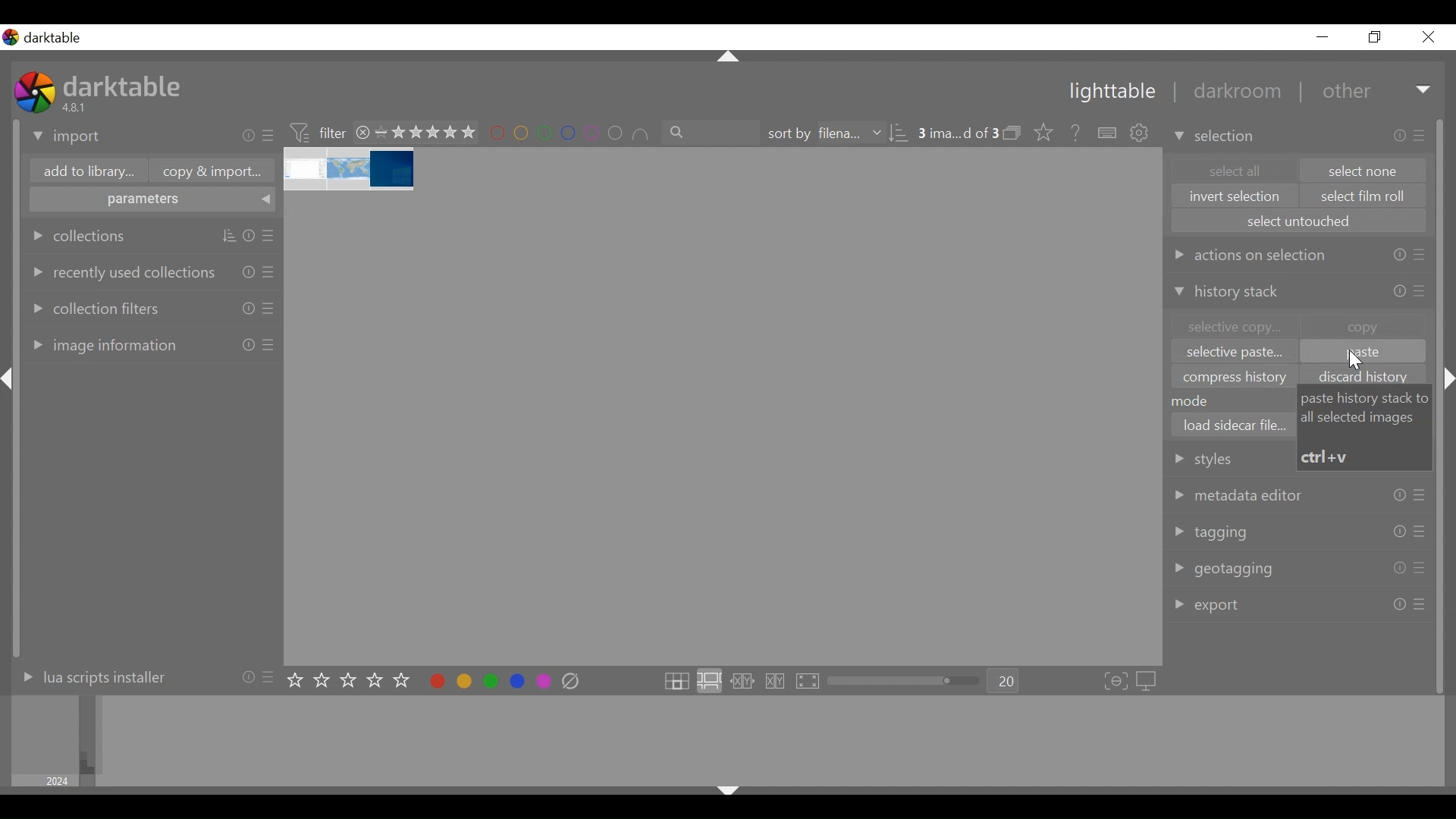  Describe the element at coordinates (777, 682) in the screenshot. I see `click to enter culling layout dynamic mode` at that location.